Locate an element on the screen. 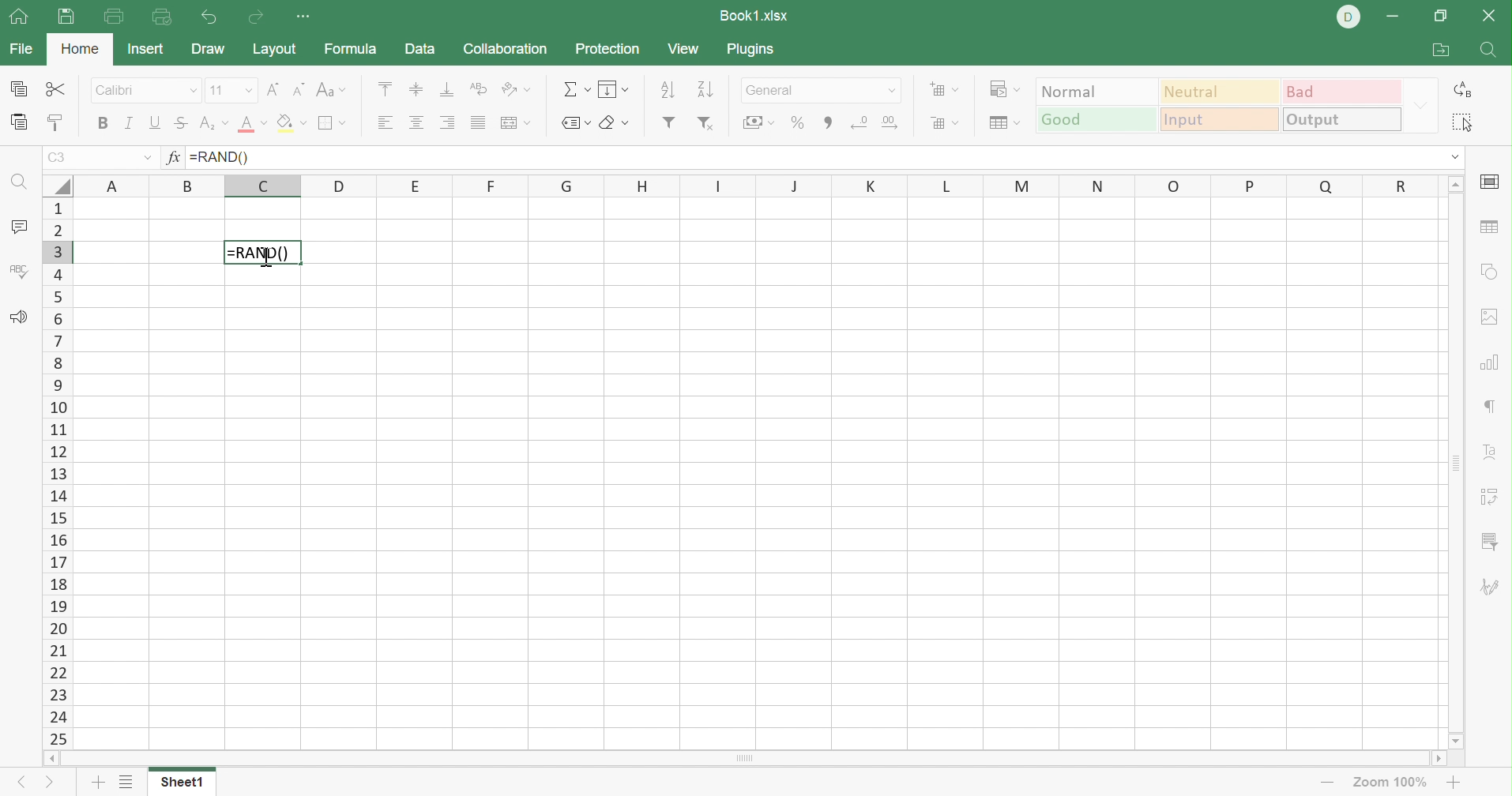  Table settings is located at coordinates (1491, 229).